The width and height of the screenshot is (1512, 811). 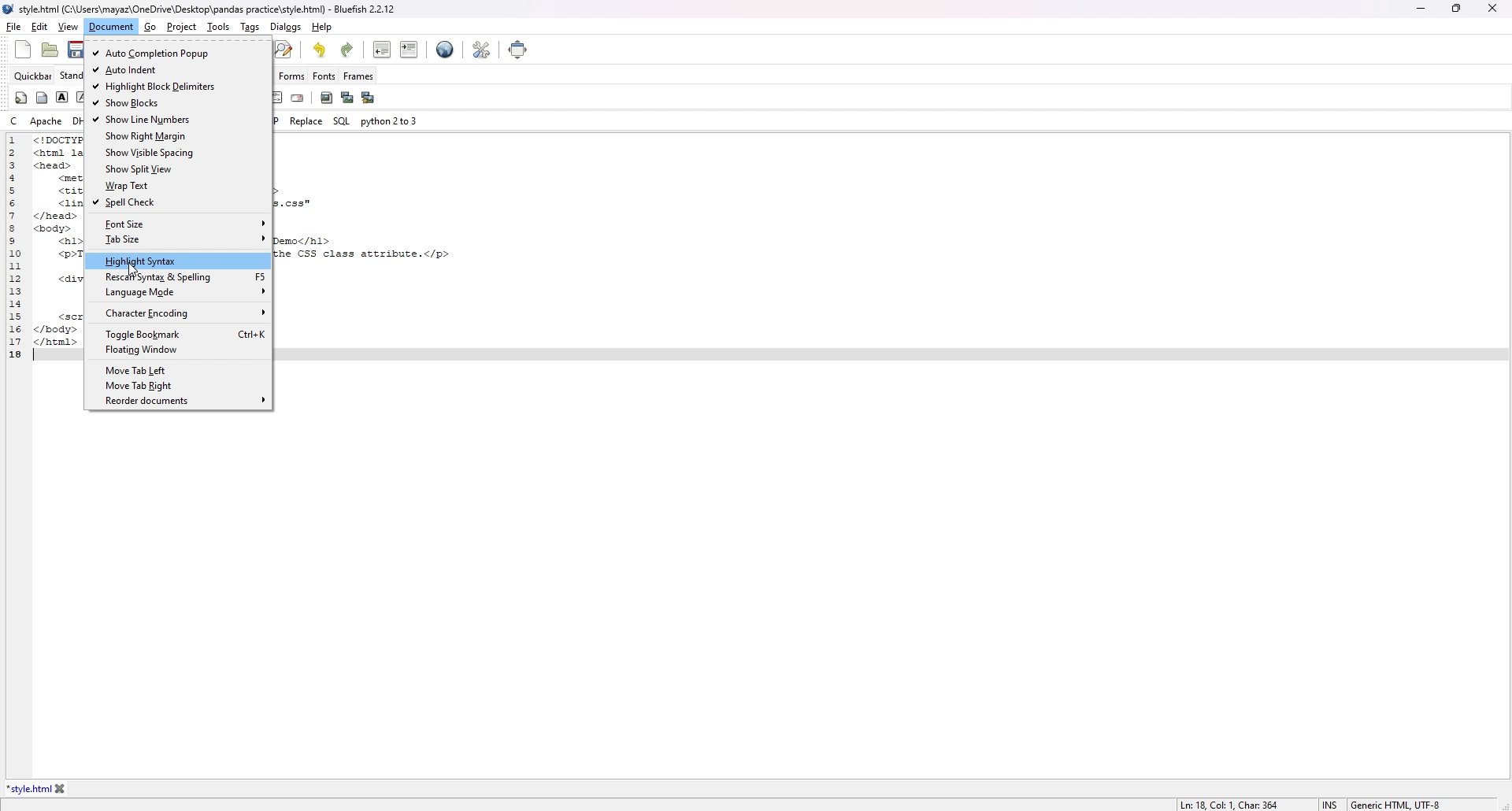 What do you see at coordinates (346, 97) in the screenshot?
I see `insert thumbnail` at bounding box center [346, 97].